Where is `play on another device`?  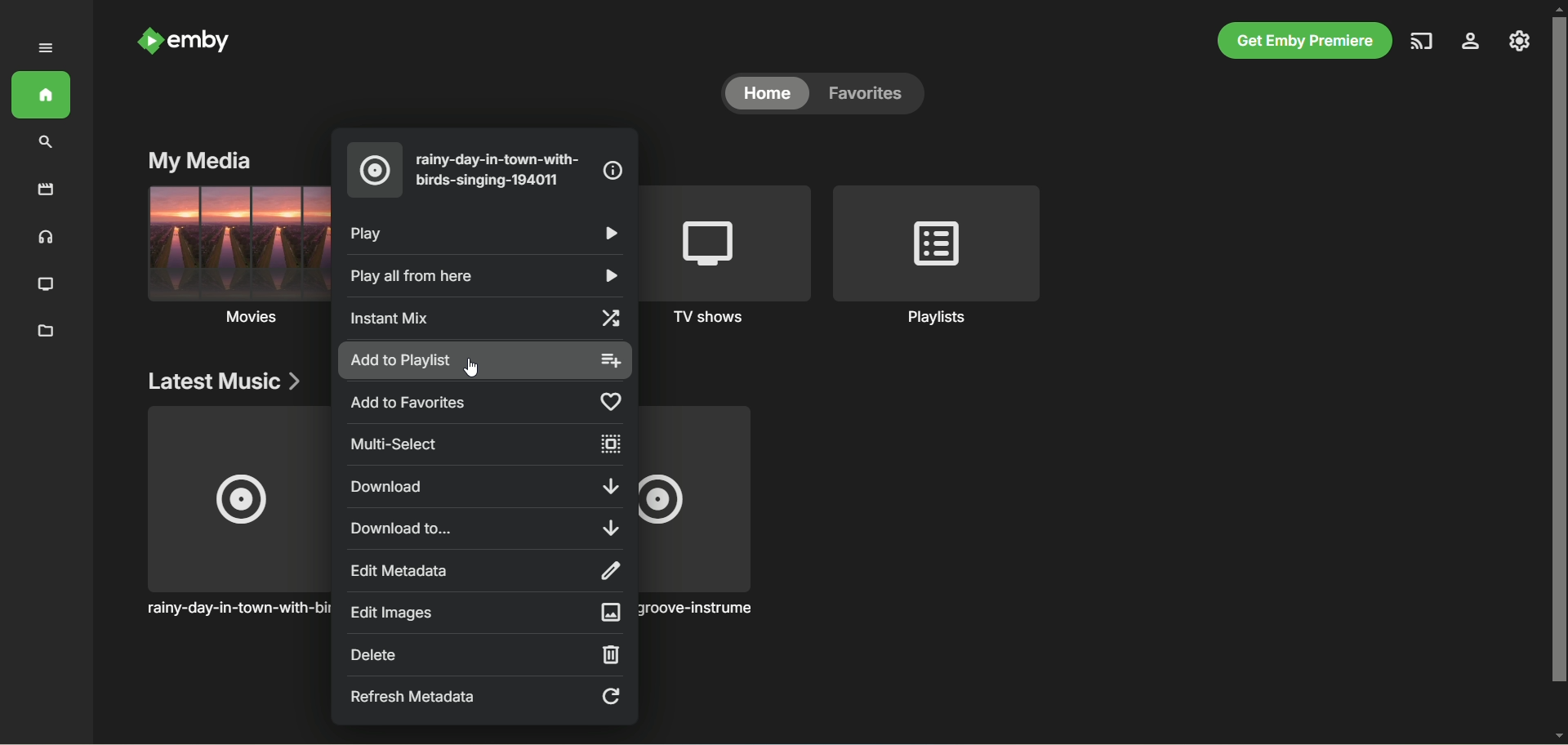 play on another device is located at coordinates (1422, 42).